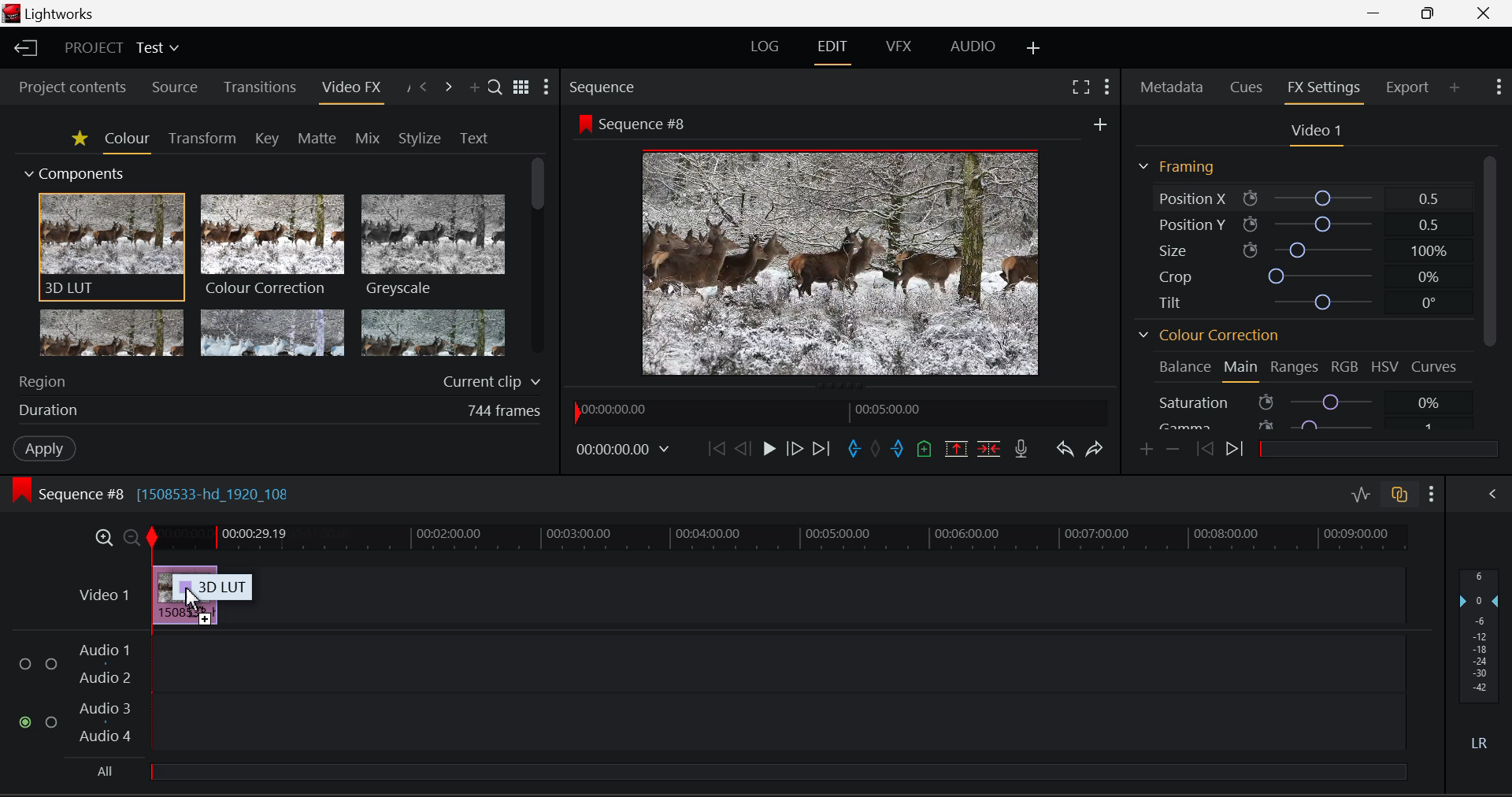  What do you see at coordinates (353, 91) in the screenshot?
I see `Video FX Panel Open` at bounding box center [353, 91].